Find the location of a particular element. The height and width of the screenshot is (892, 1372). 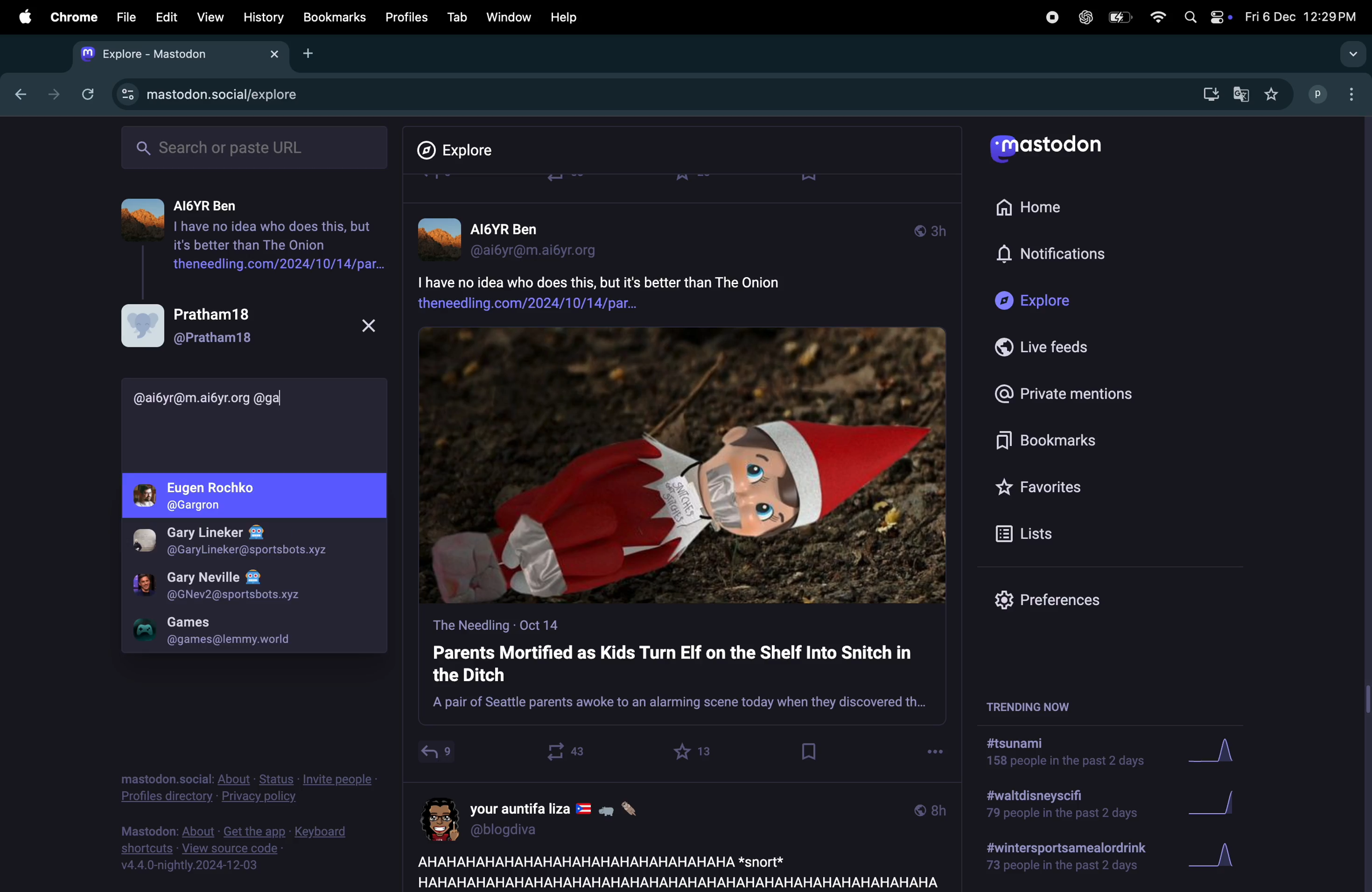

user profile is located at coordinates (1336, 93).